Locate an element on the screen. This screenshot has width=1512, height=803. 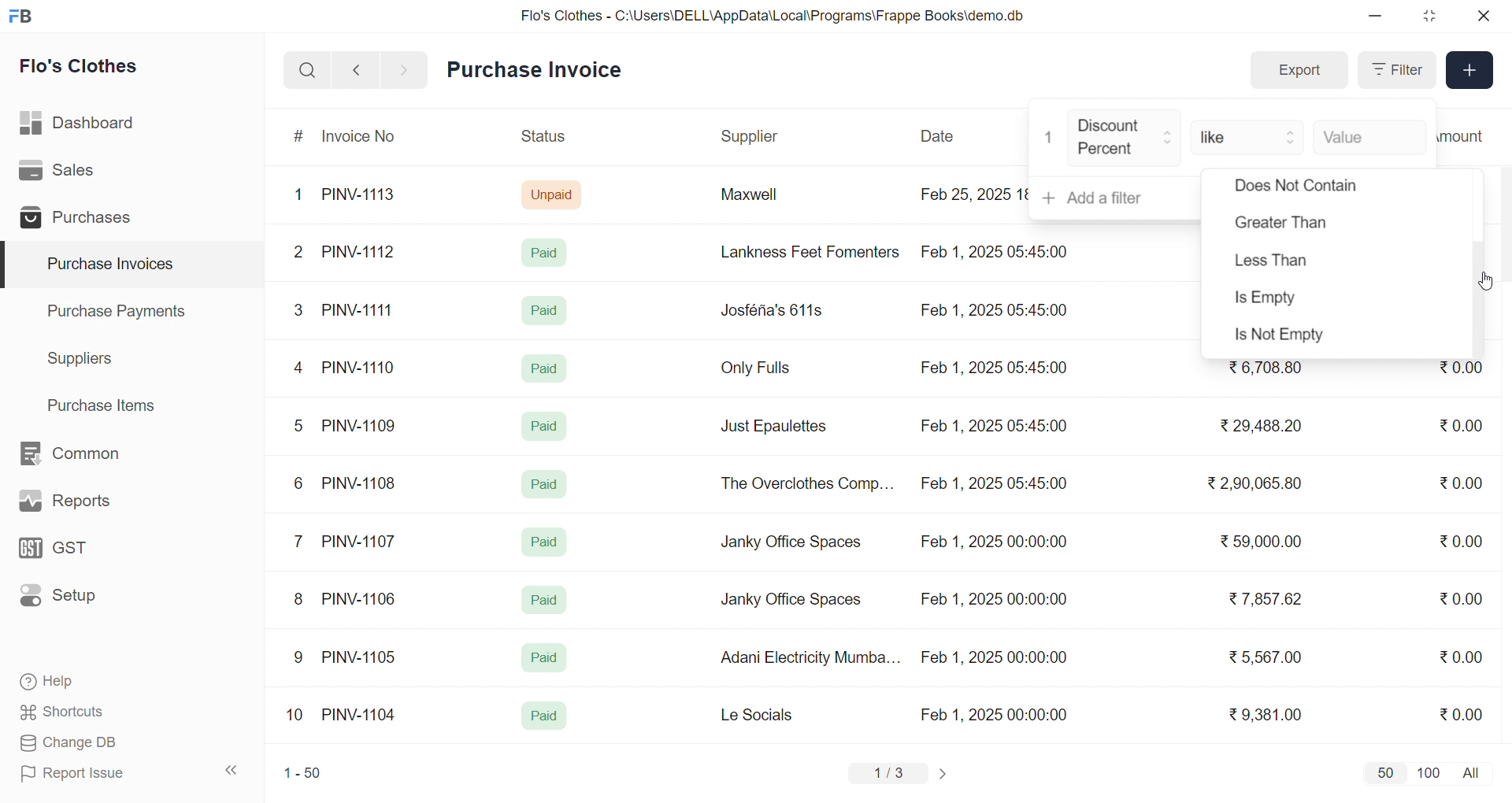
₹0.00 is located at coordinates (1461, 598).